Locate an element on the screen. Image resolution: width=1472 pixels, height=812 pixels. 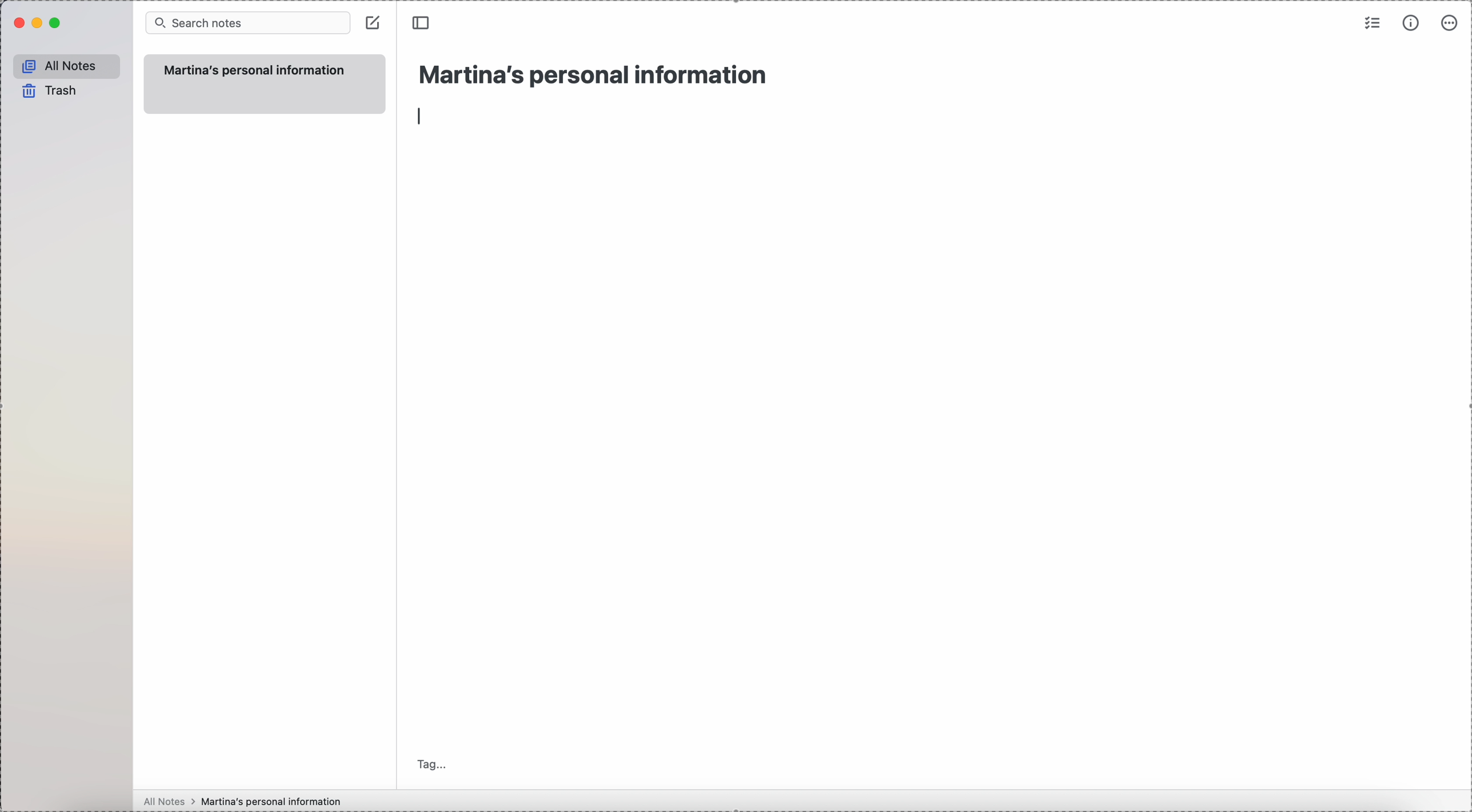
Martina's personal information is located at coordinates (264, 84).